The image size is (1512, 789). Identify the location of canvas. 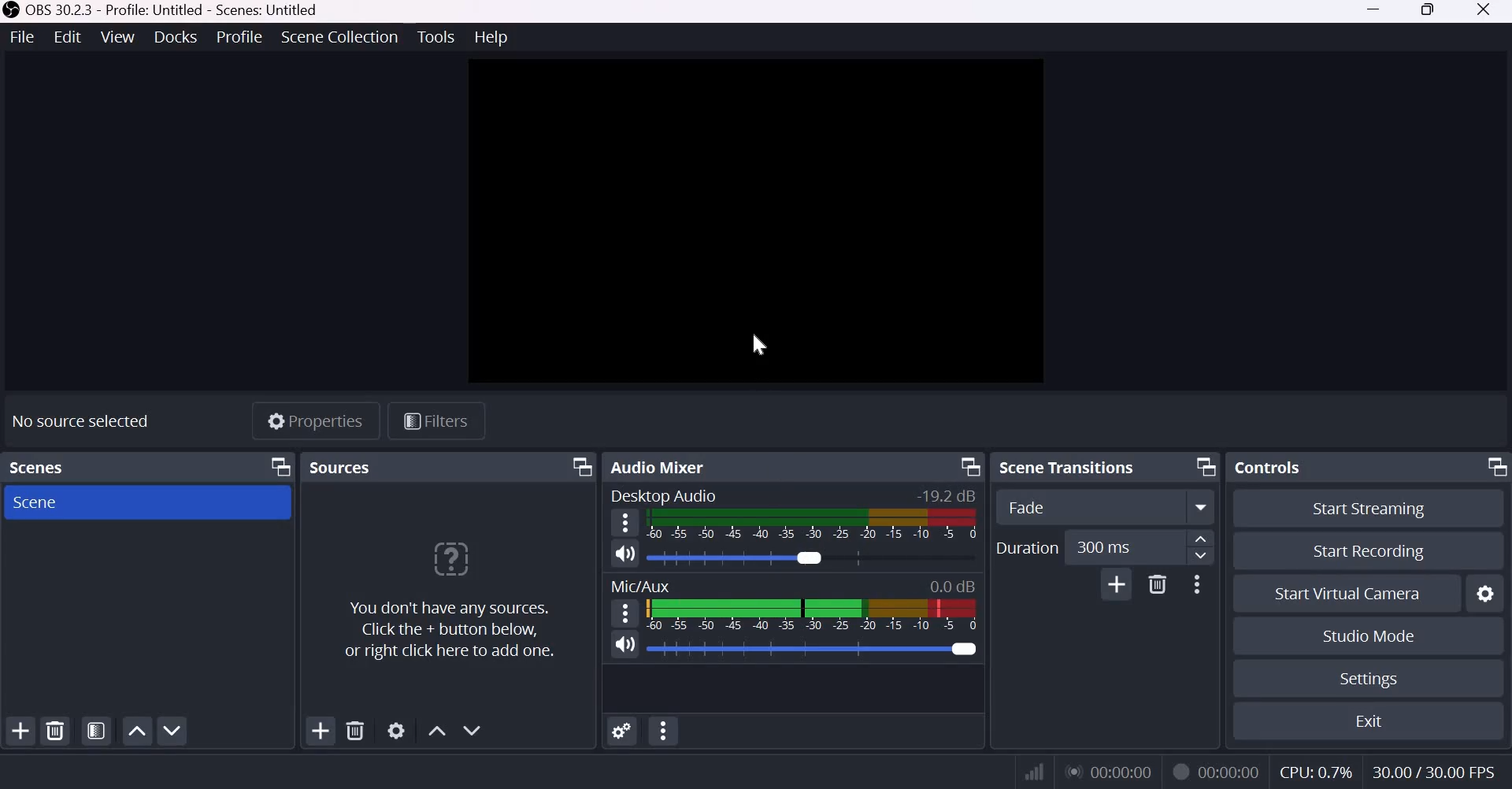
(758, 223).